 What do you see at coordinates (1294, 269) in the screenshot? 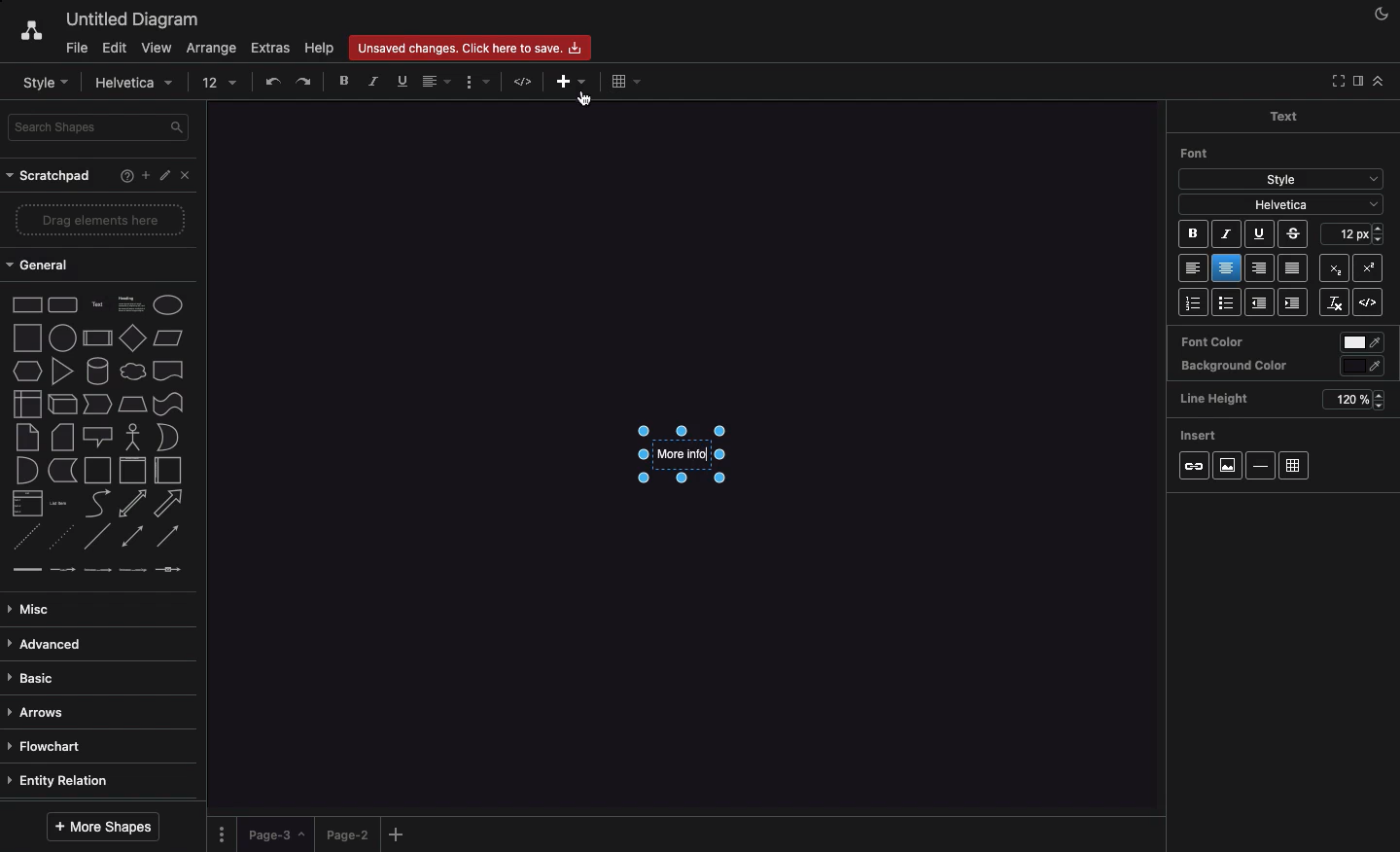
I see `Justified` at bounding box center [1294, 269].